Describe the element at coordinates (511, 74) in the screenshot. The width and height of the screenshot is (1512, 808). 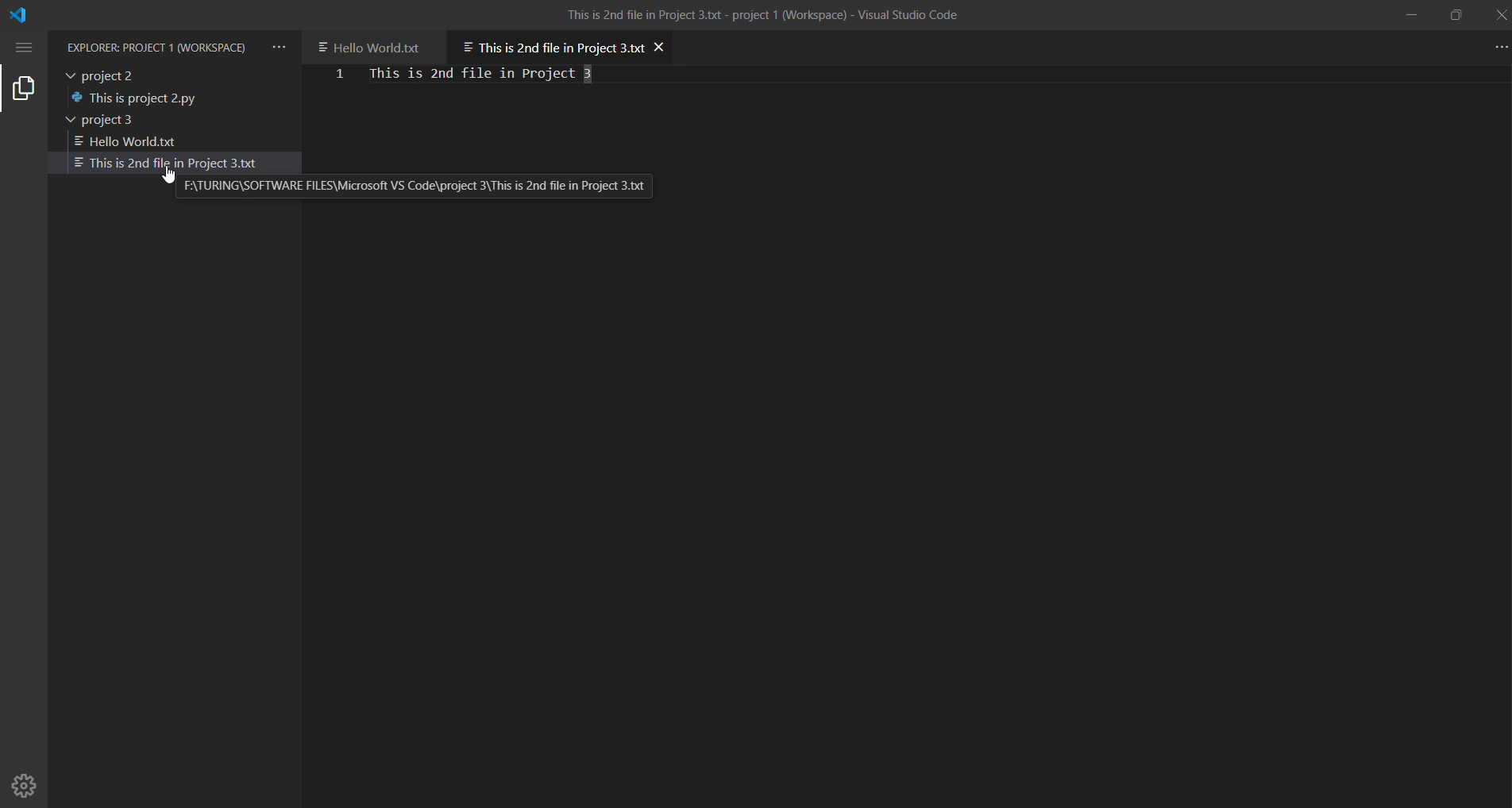
I see `file content` at that location.